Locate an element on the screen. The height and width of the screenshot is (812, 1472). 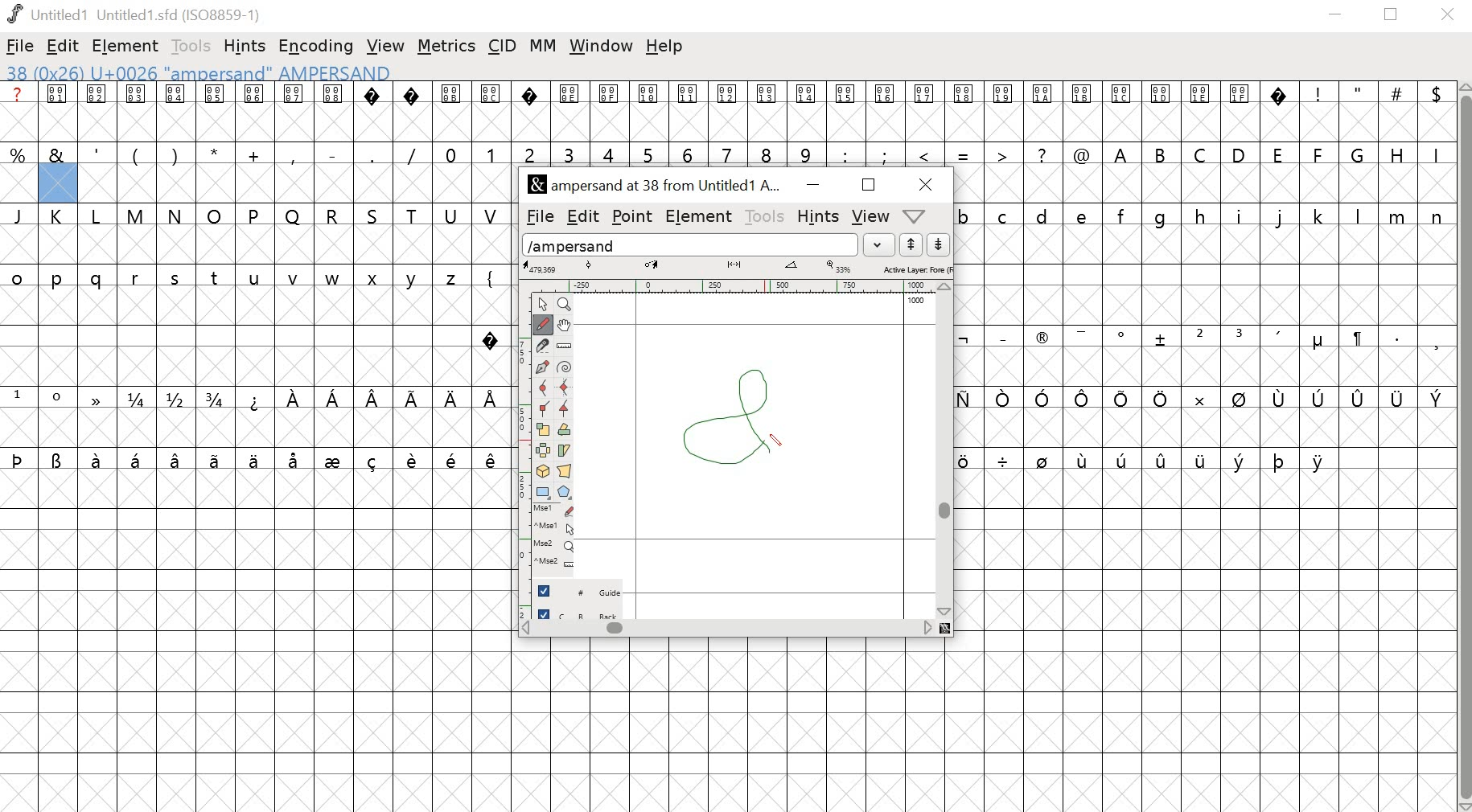
symbol is located at coordinates (1162, 338).